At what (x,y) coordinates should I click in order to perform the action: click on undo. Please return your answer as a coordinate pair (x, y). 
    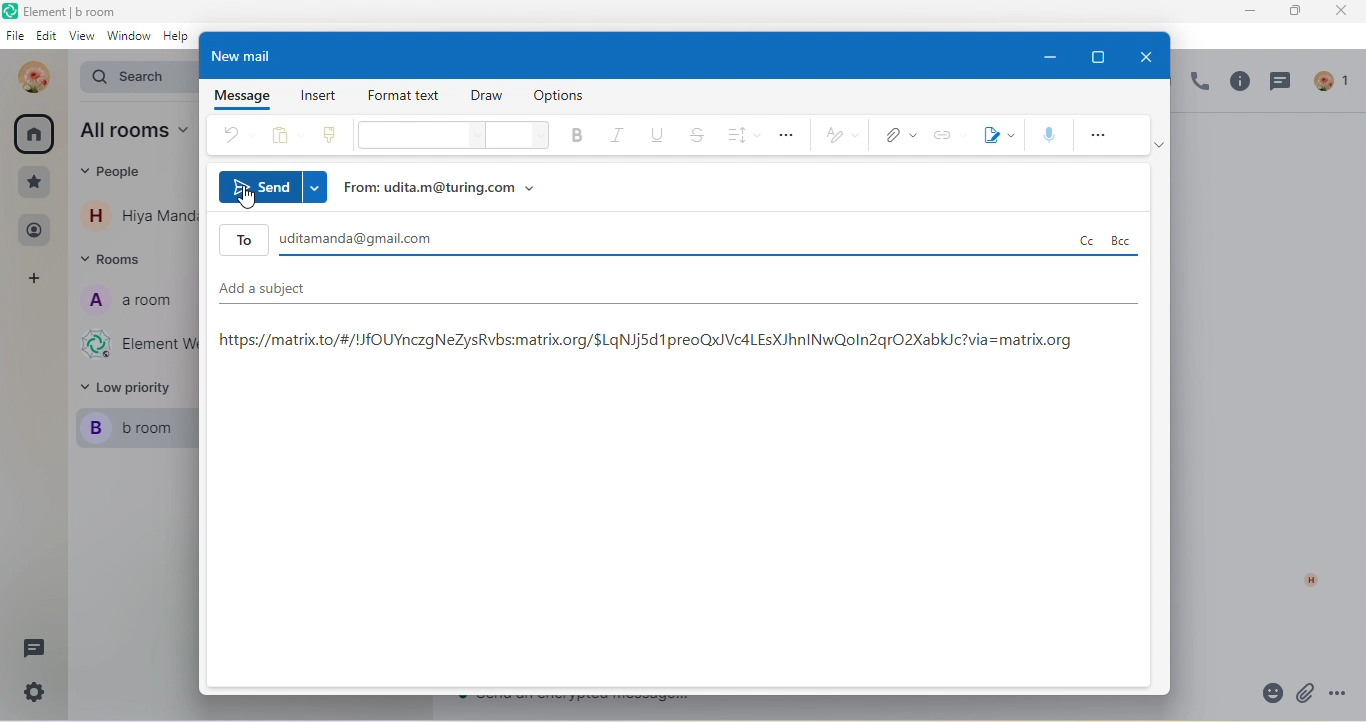
    Looking at the image, I should click on (238, 136).